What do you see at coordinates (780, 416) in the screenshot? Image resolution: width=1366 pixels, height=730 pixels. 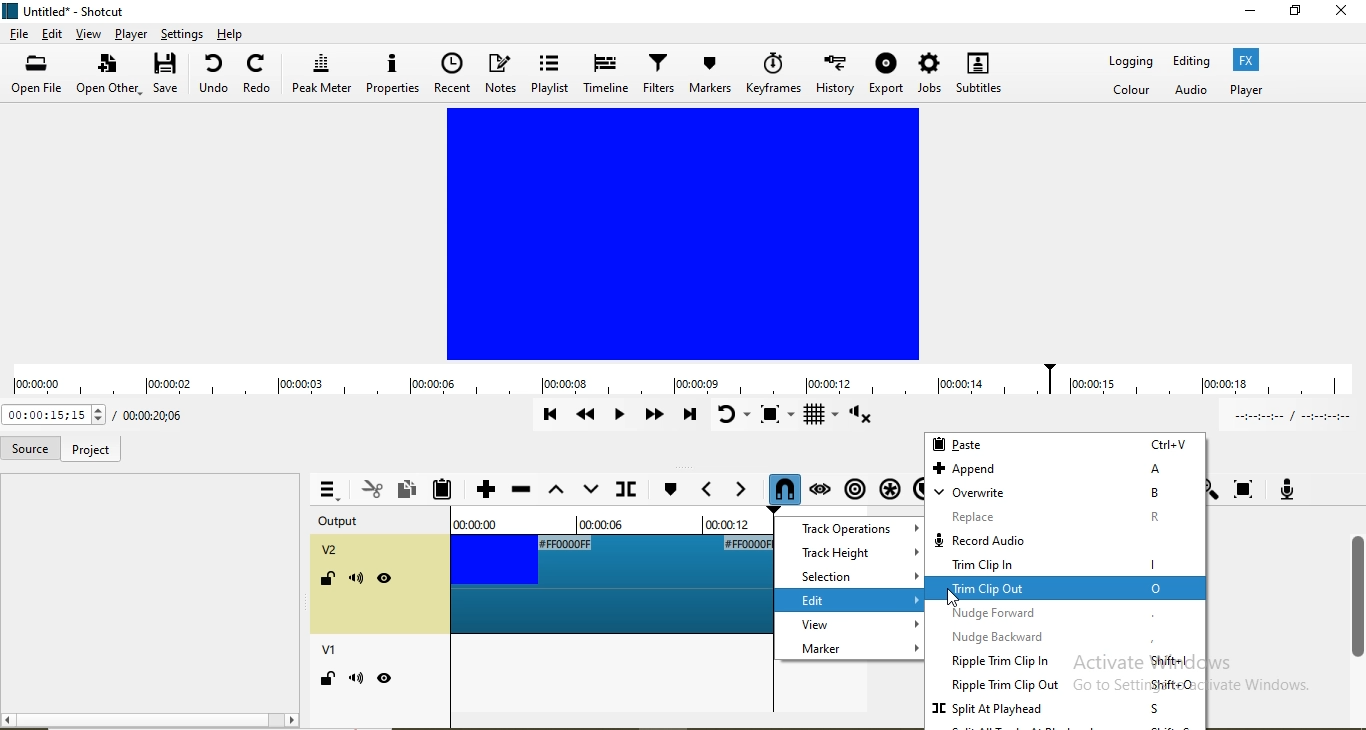 I see `Toggle zoom` at bounding box center [780, 416].